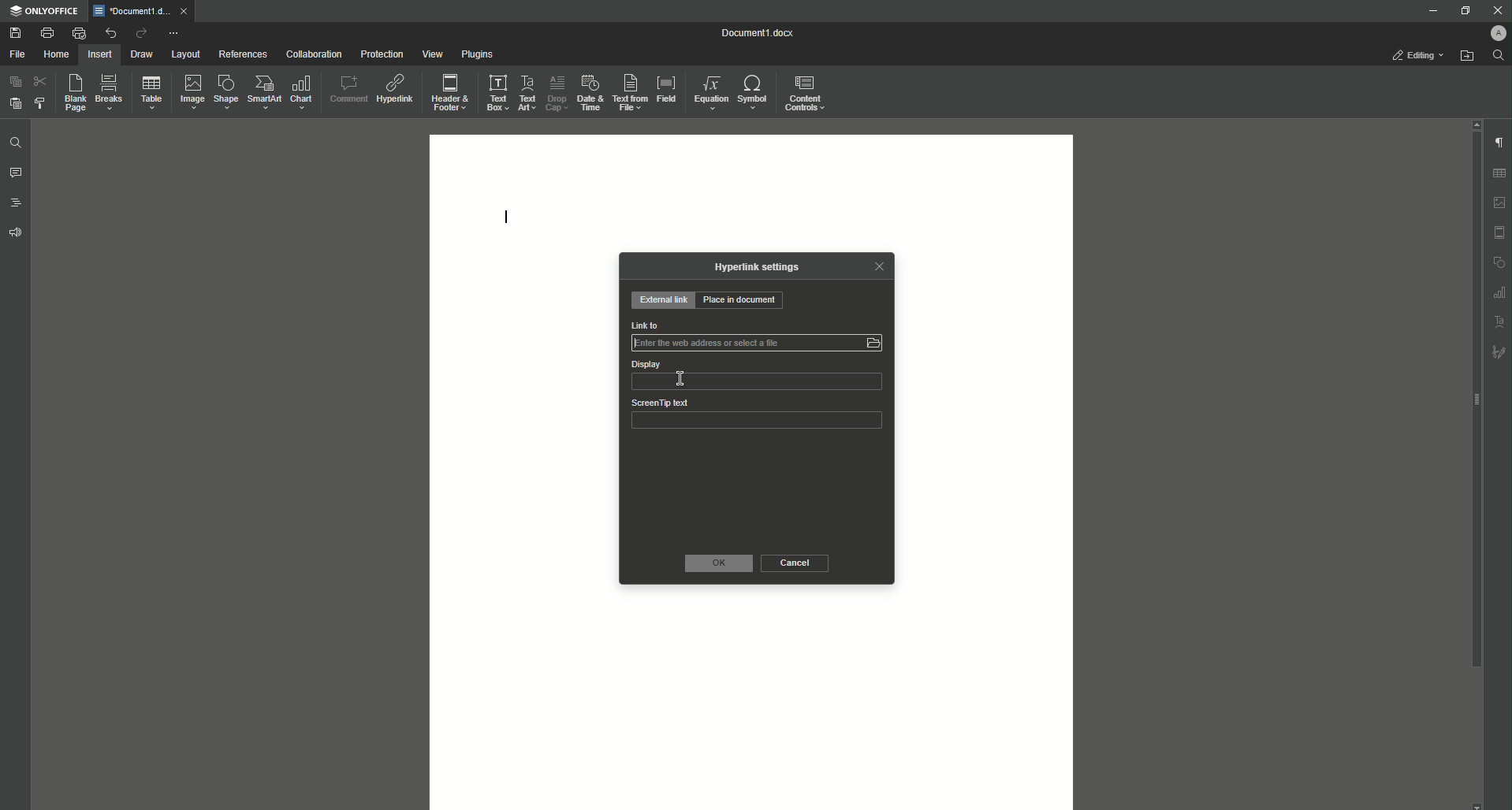  I want to click on inserion cursor, so click(680, 378).